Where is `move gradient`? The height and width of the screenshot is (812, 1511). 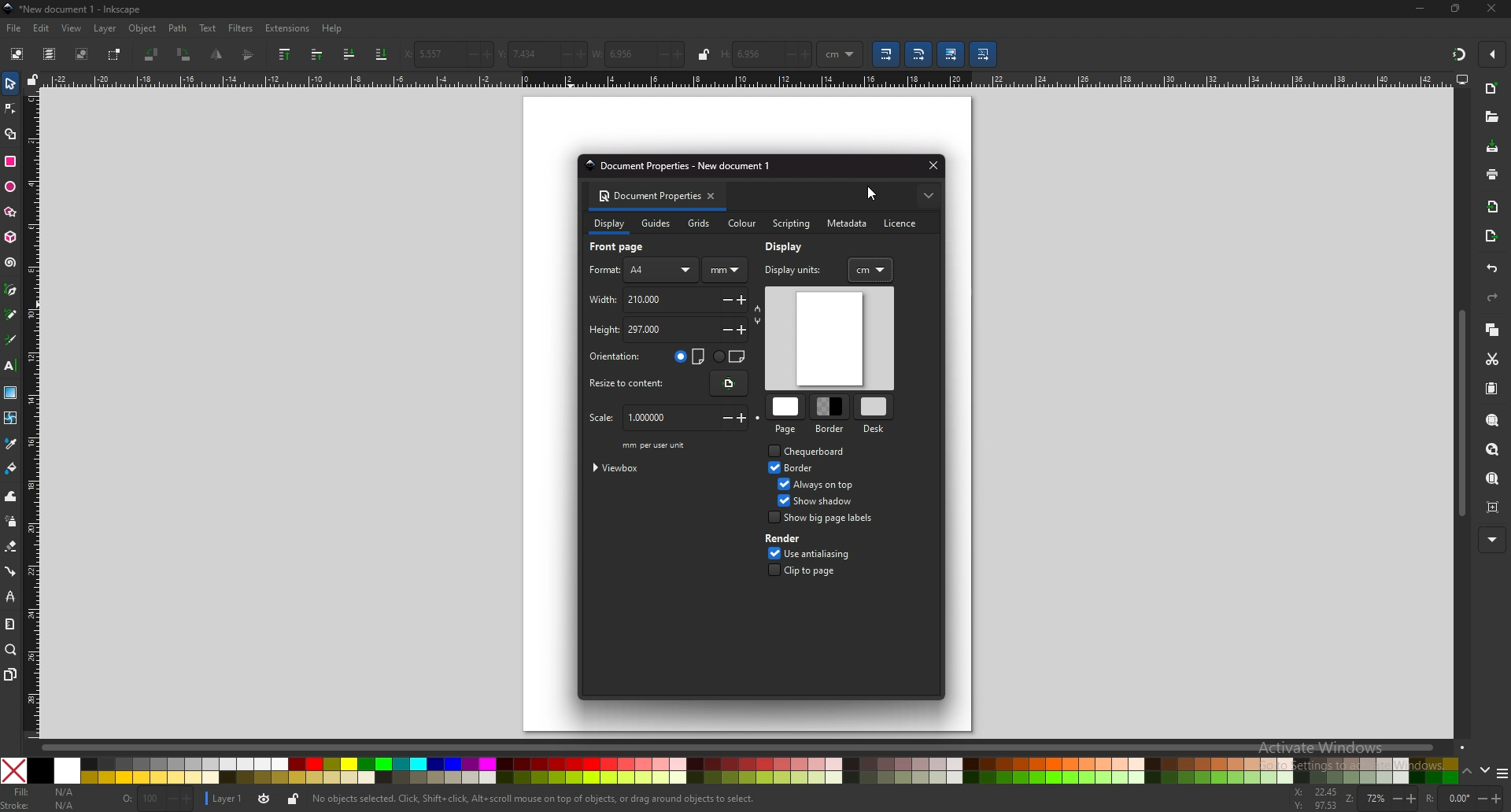 move gradient is located at coordinates (952, 54).